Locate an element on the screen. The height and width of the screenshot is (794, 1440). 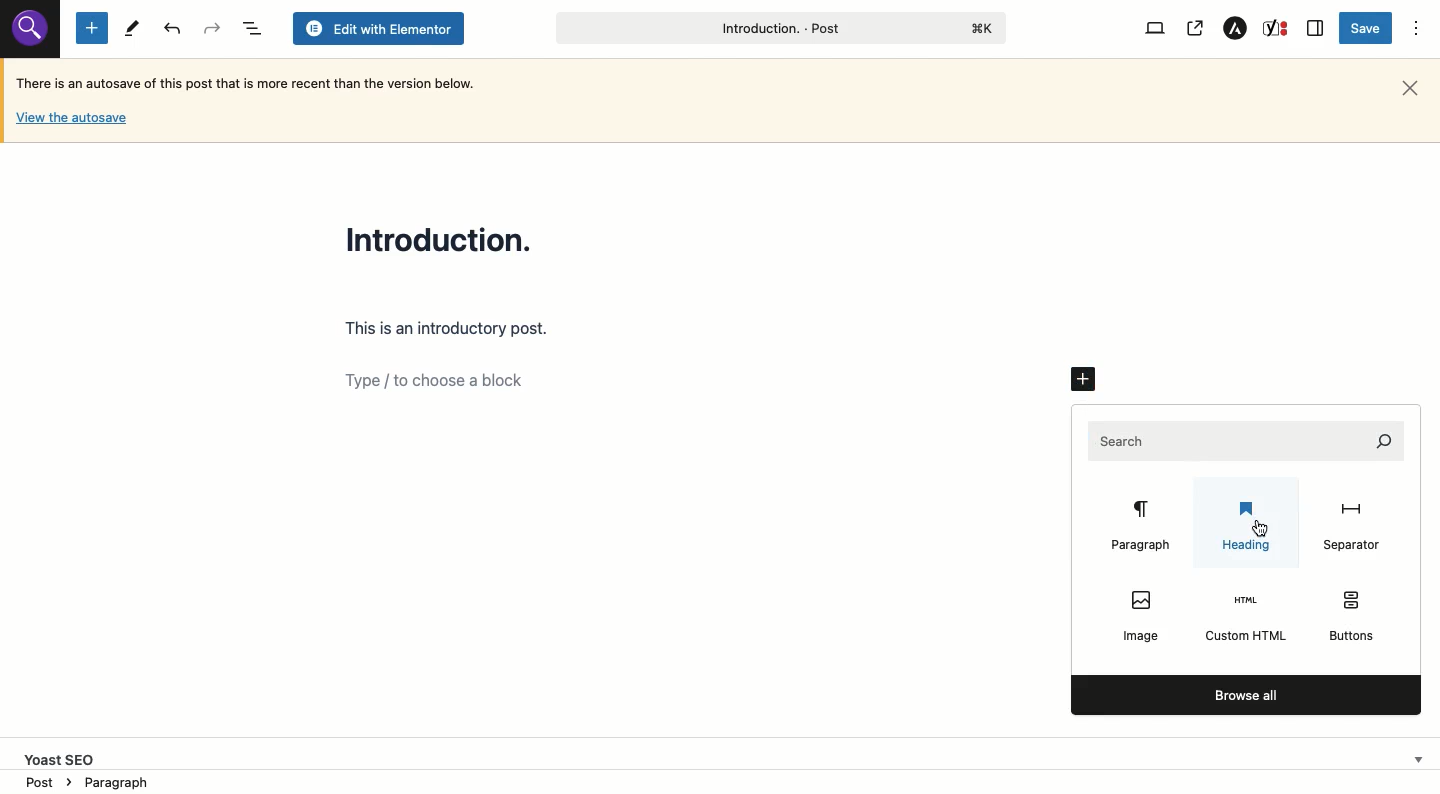
Separator is located at coordinates (1350, 526).